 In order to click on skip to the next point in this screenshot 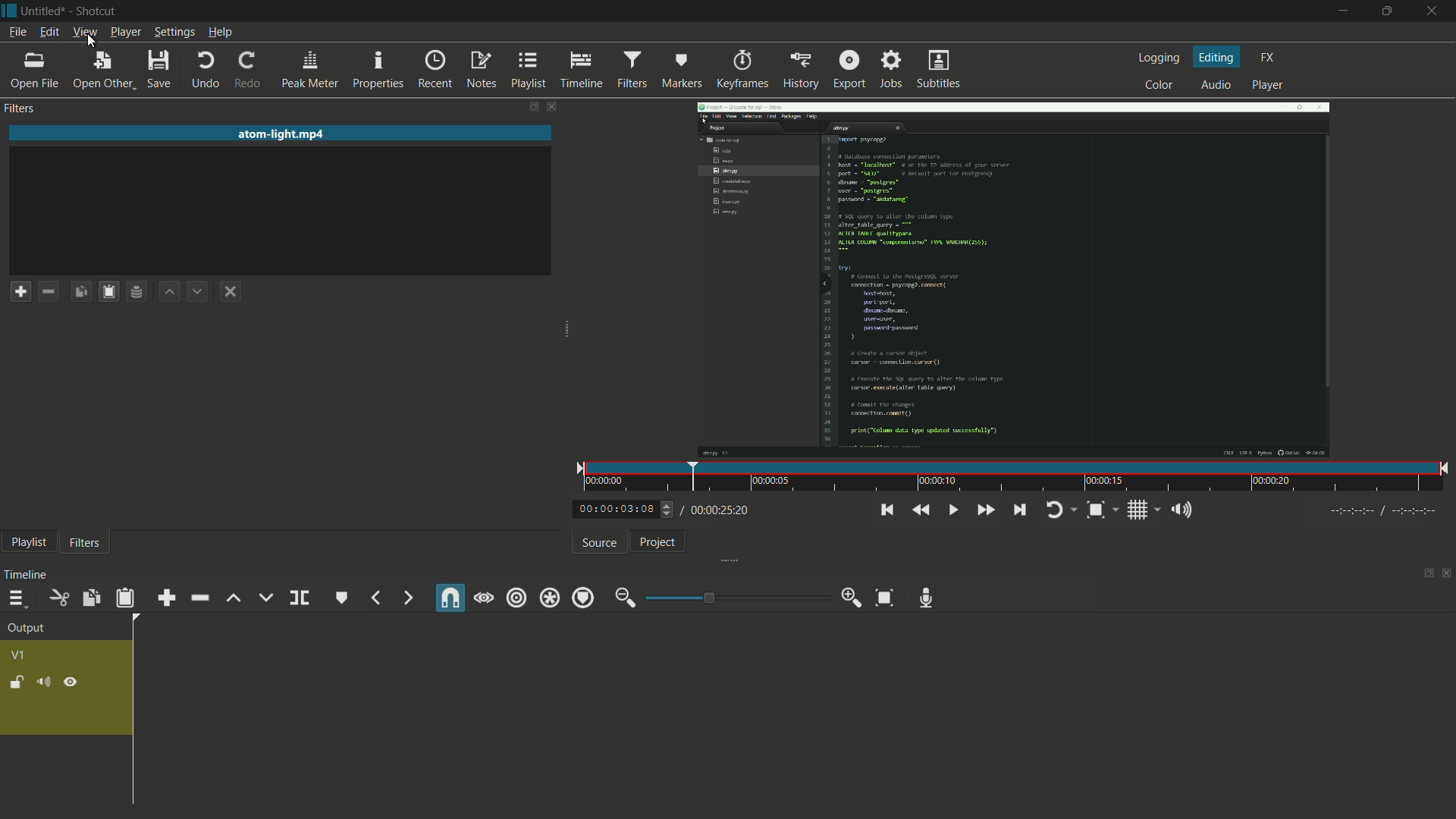, I will do `click(1021, 509)`.